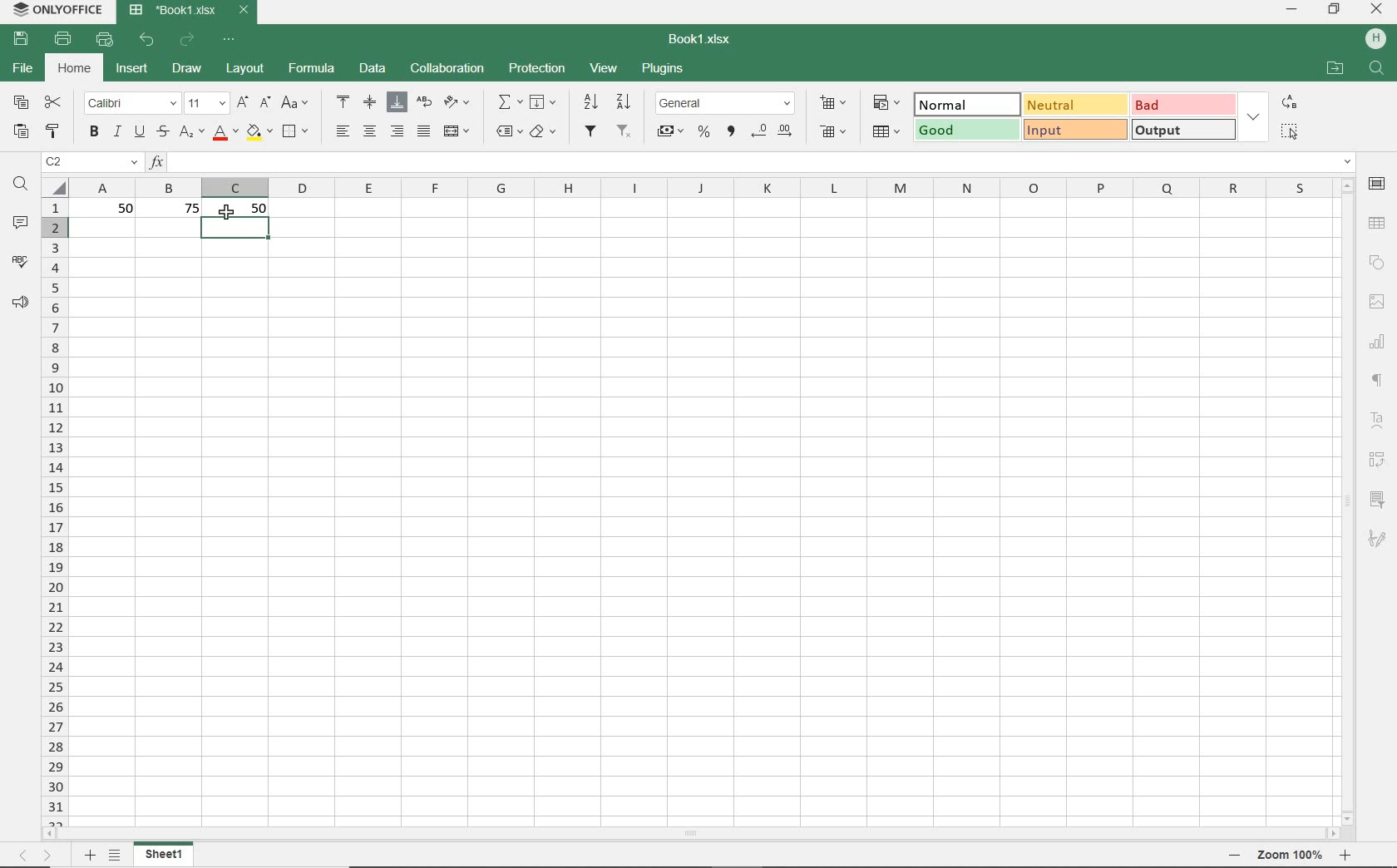 Image resolution: width=1397 pixels, height=868 pixels. Describe the element at coordinates (590, 102) in the screenshot. I see `sort ascending` at that location.